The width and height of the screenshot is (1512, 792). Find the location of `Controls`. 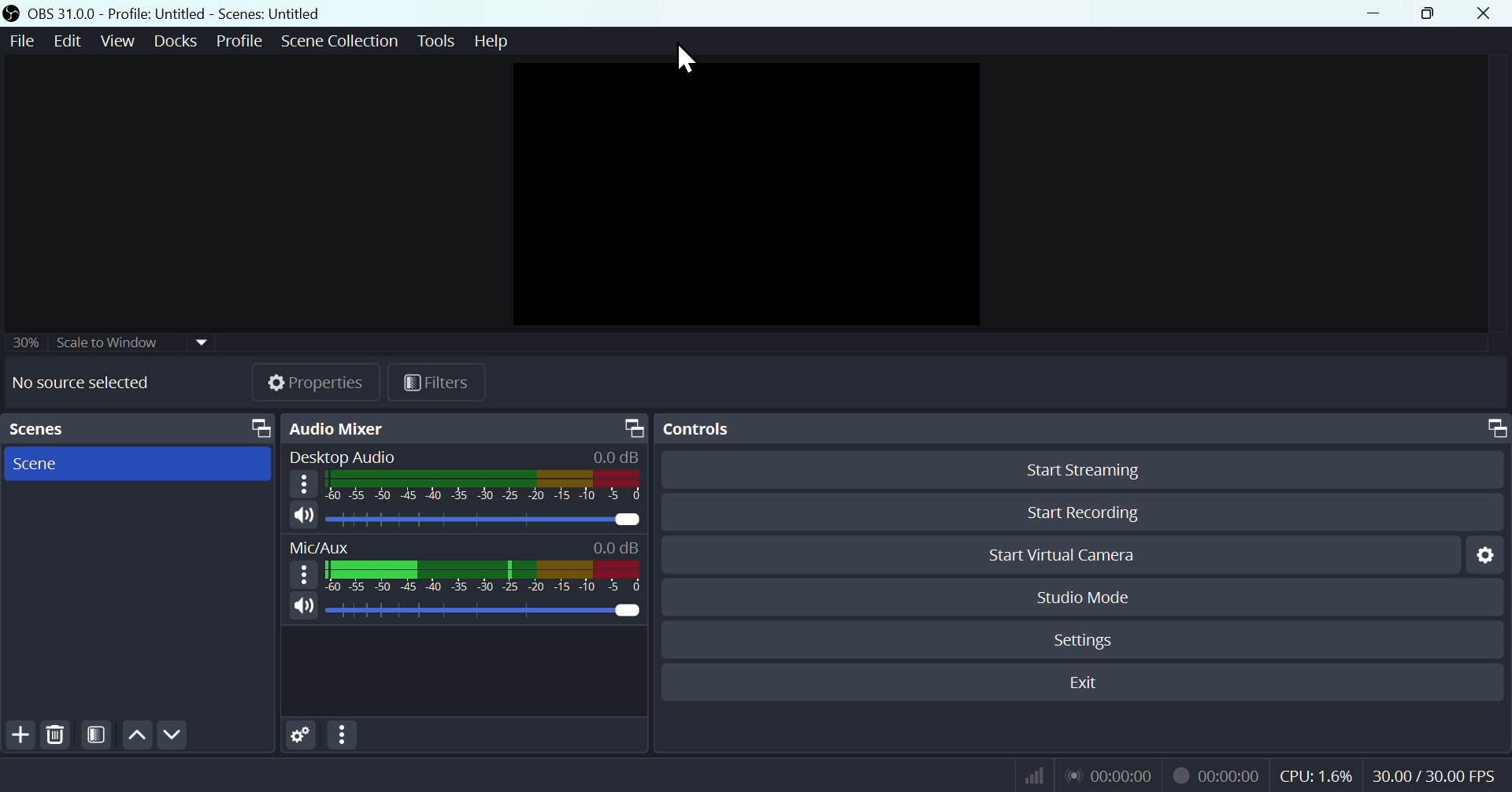

Controls is located at coordinates (1083, 430).